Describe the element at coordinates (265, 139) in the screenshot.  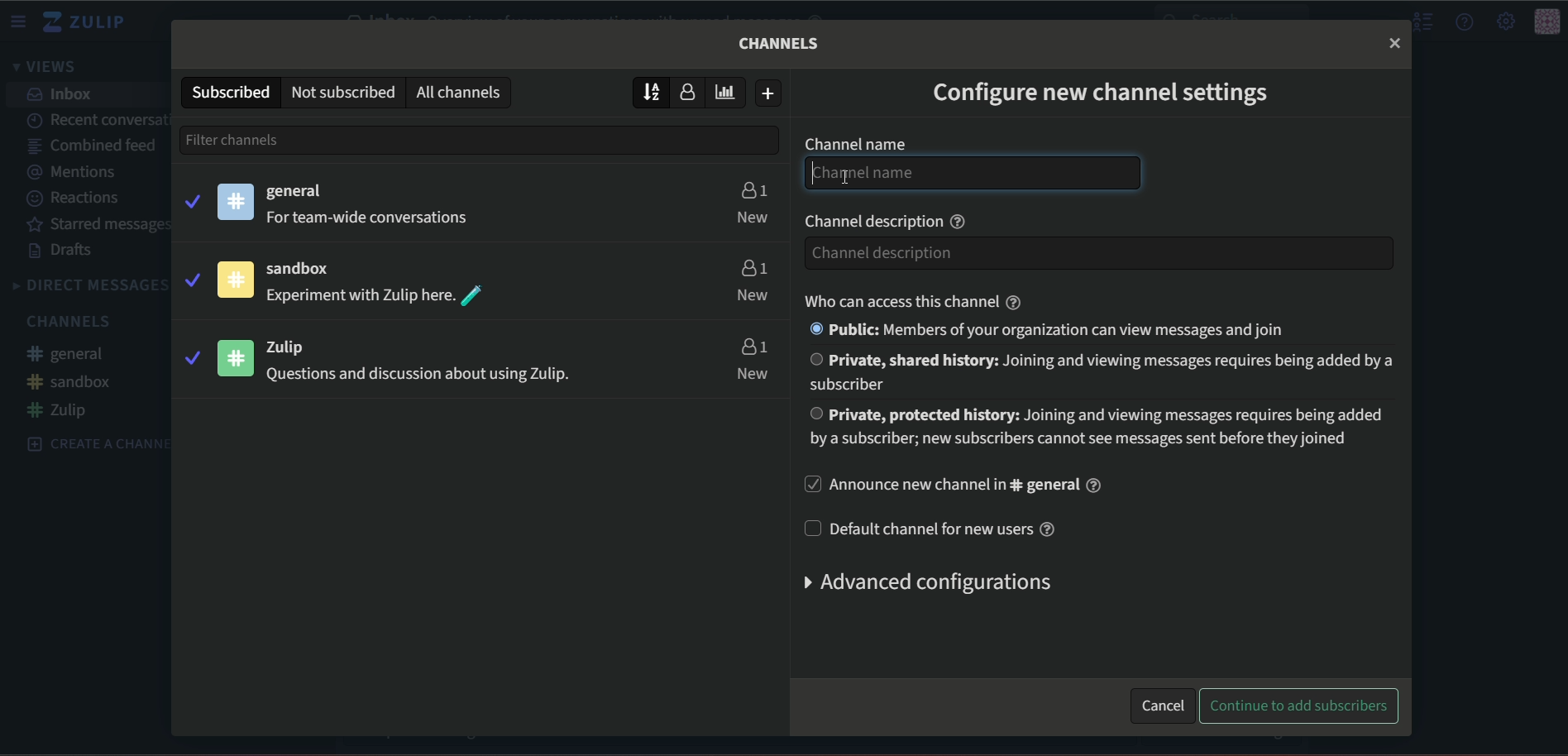
I see `filter` at that location.